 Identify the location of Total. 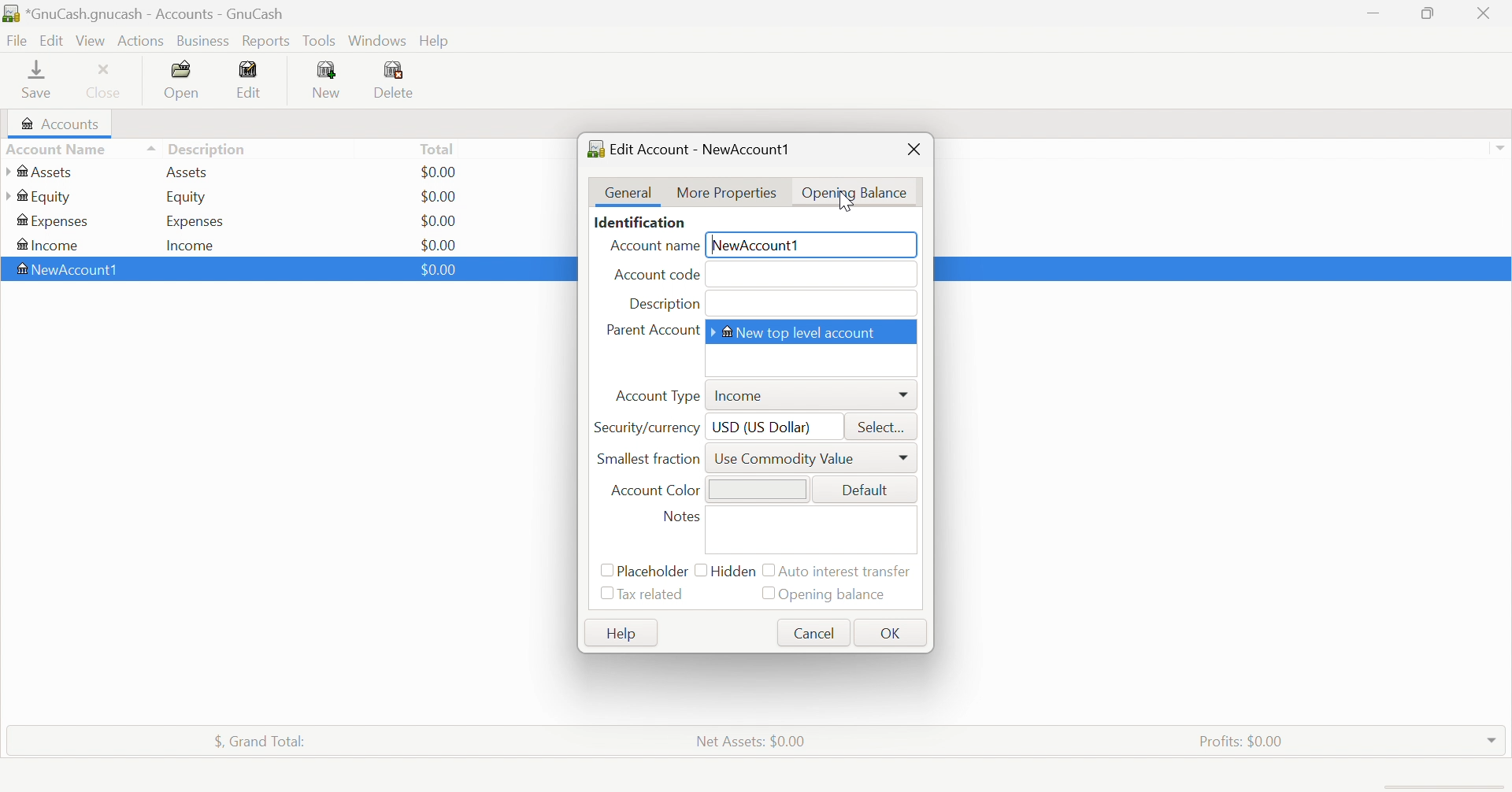
(438, 148).